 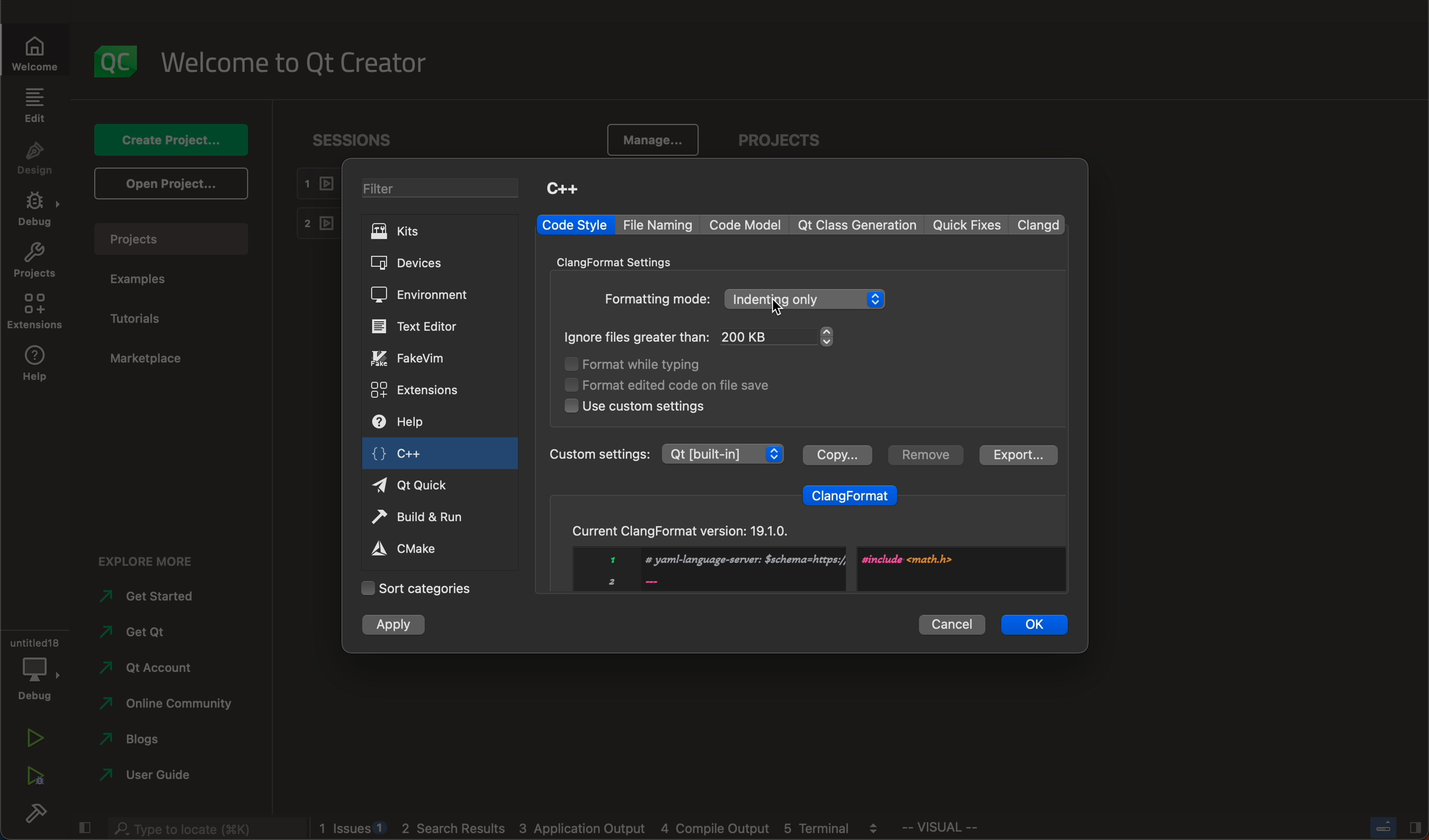 What do you see at coordinates (157, 596) in the screenshot?
I see `started` at bounding box center [157, 596].